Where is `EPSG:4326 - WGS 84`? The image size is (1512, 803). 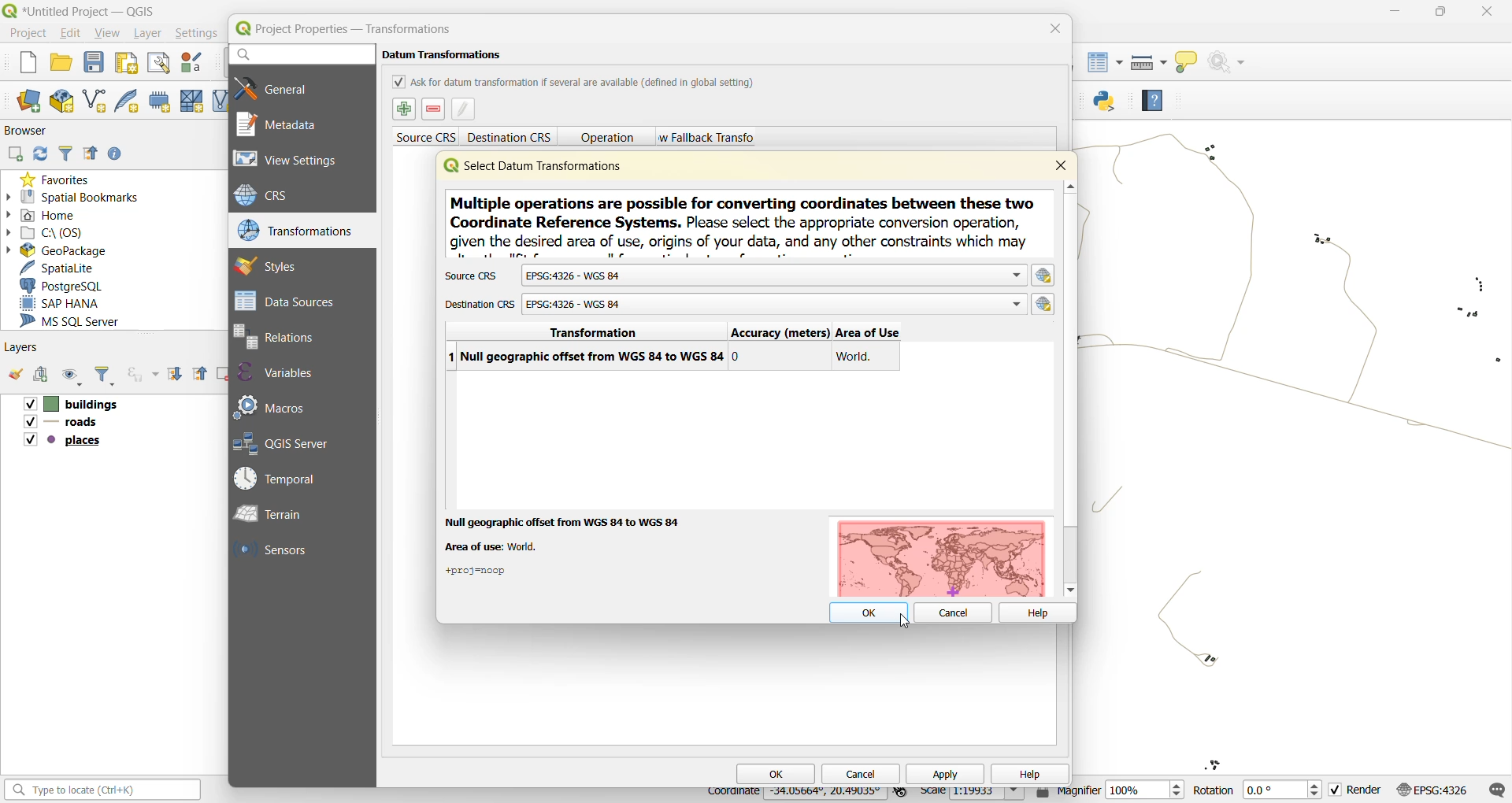 EPSG:4326 - WGS 84 is located at coordinates (775, 303).